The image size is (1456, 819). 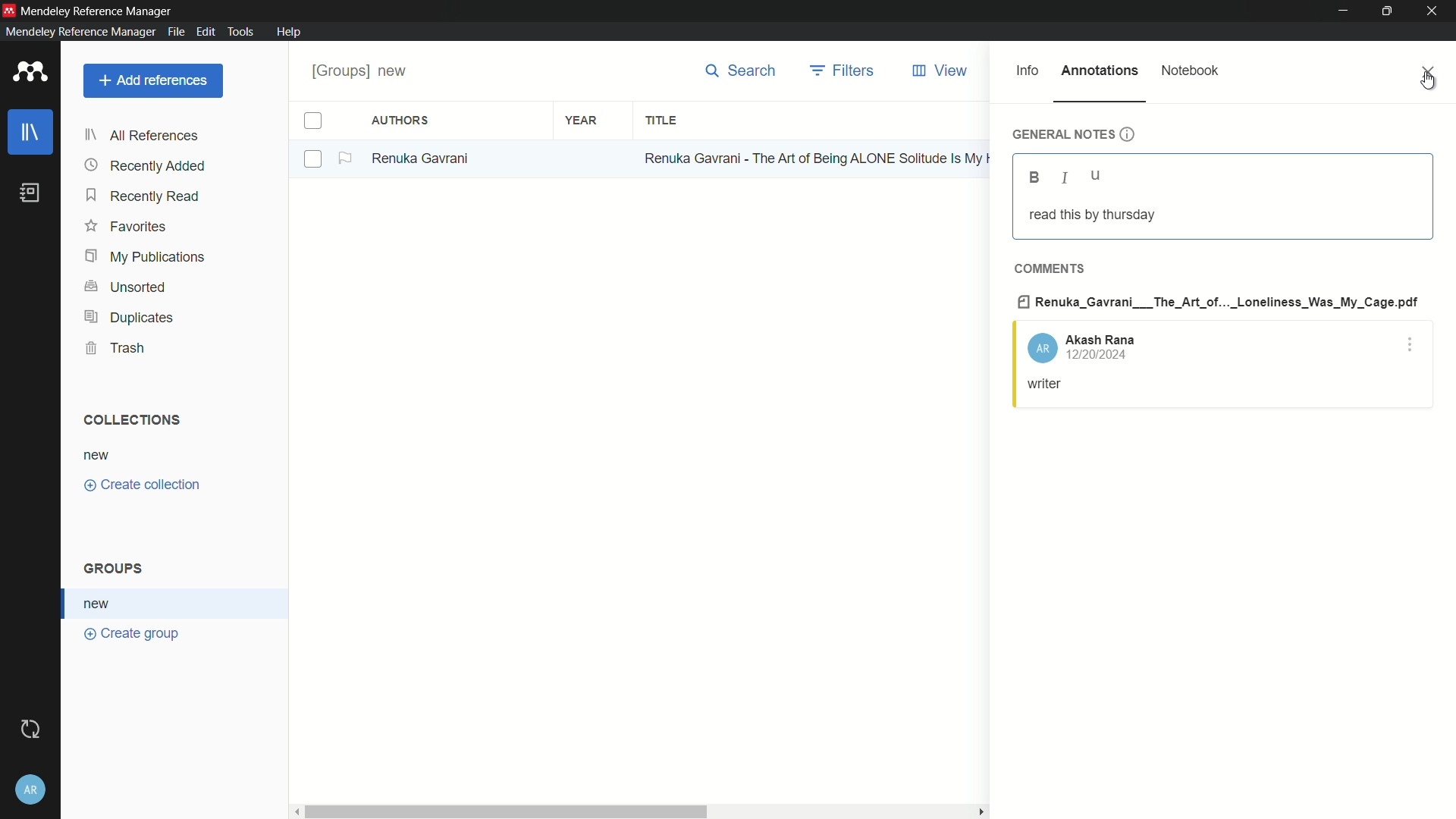 I want to click on Renuka Gavrani-The Art of Being ALONE Solitude Is My HOME, Loneliness W..., so click(x=814, y=156).